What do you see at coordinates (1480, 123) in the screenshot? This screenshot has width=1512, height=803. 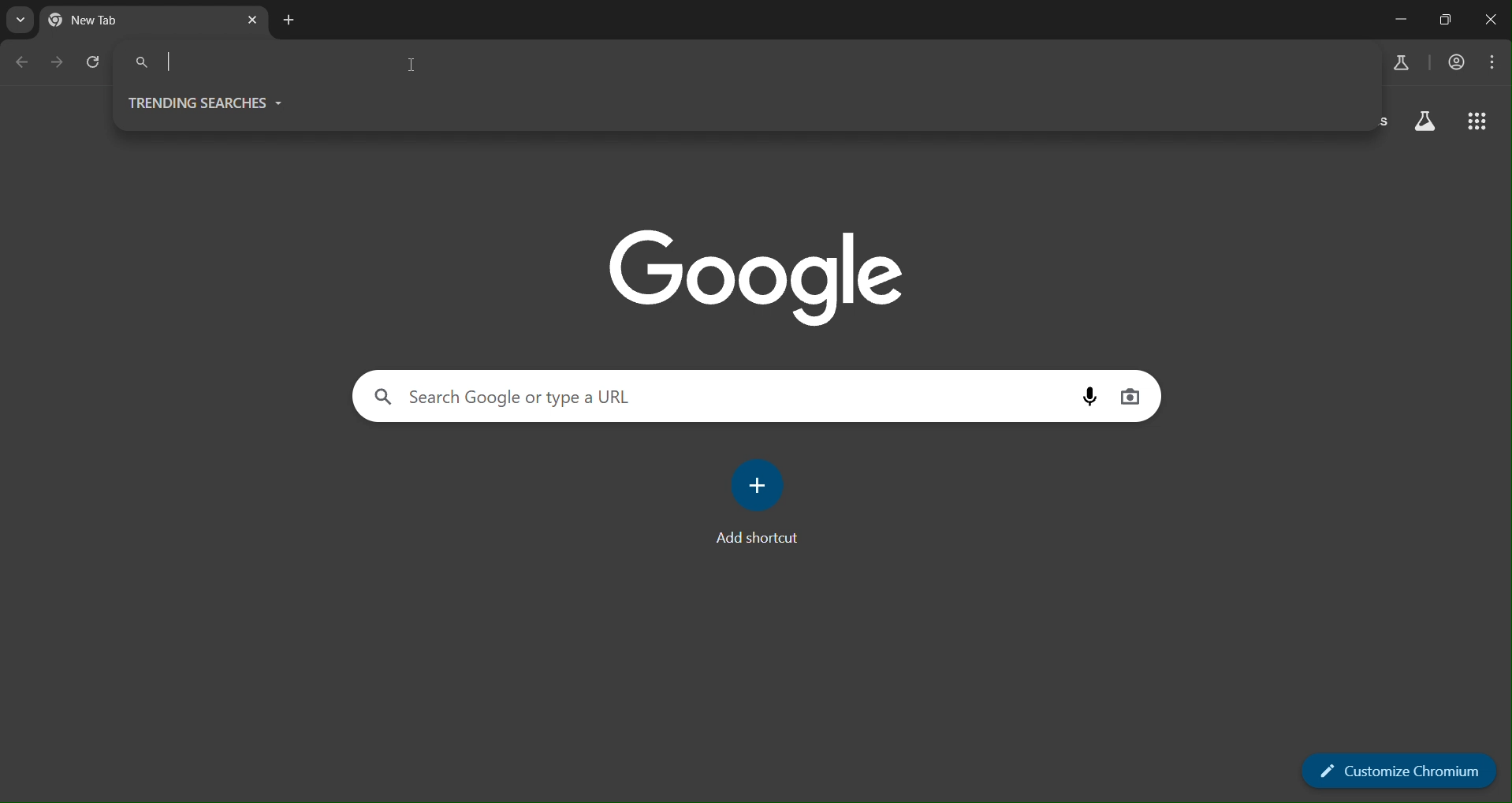 I see `google apps` at bounding box center [1480, 123].